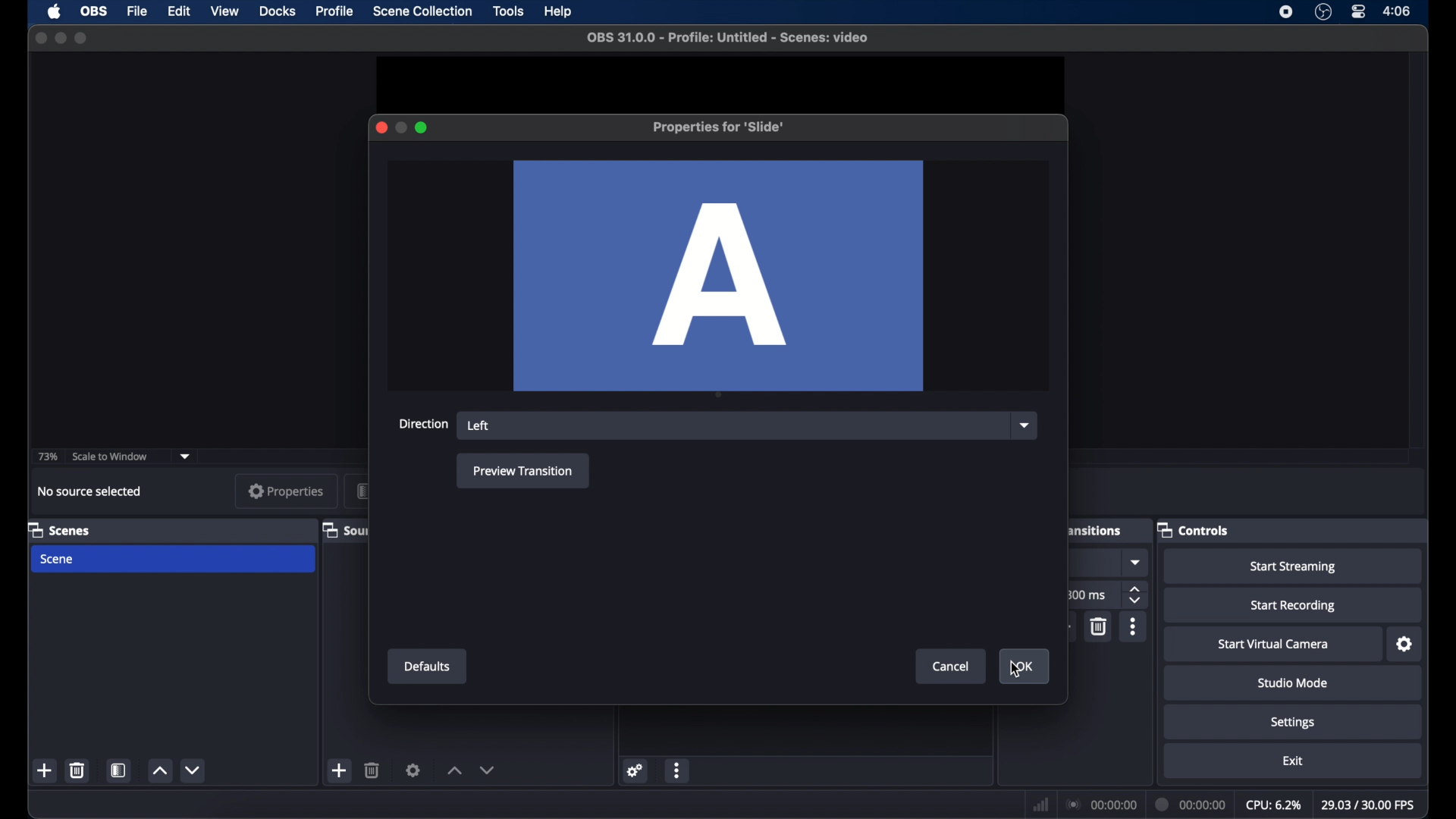  I want to click on left, so click(479, 425).